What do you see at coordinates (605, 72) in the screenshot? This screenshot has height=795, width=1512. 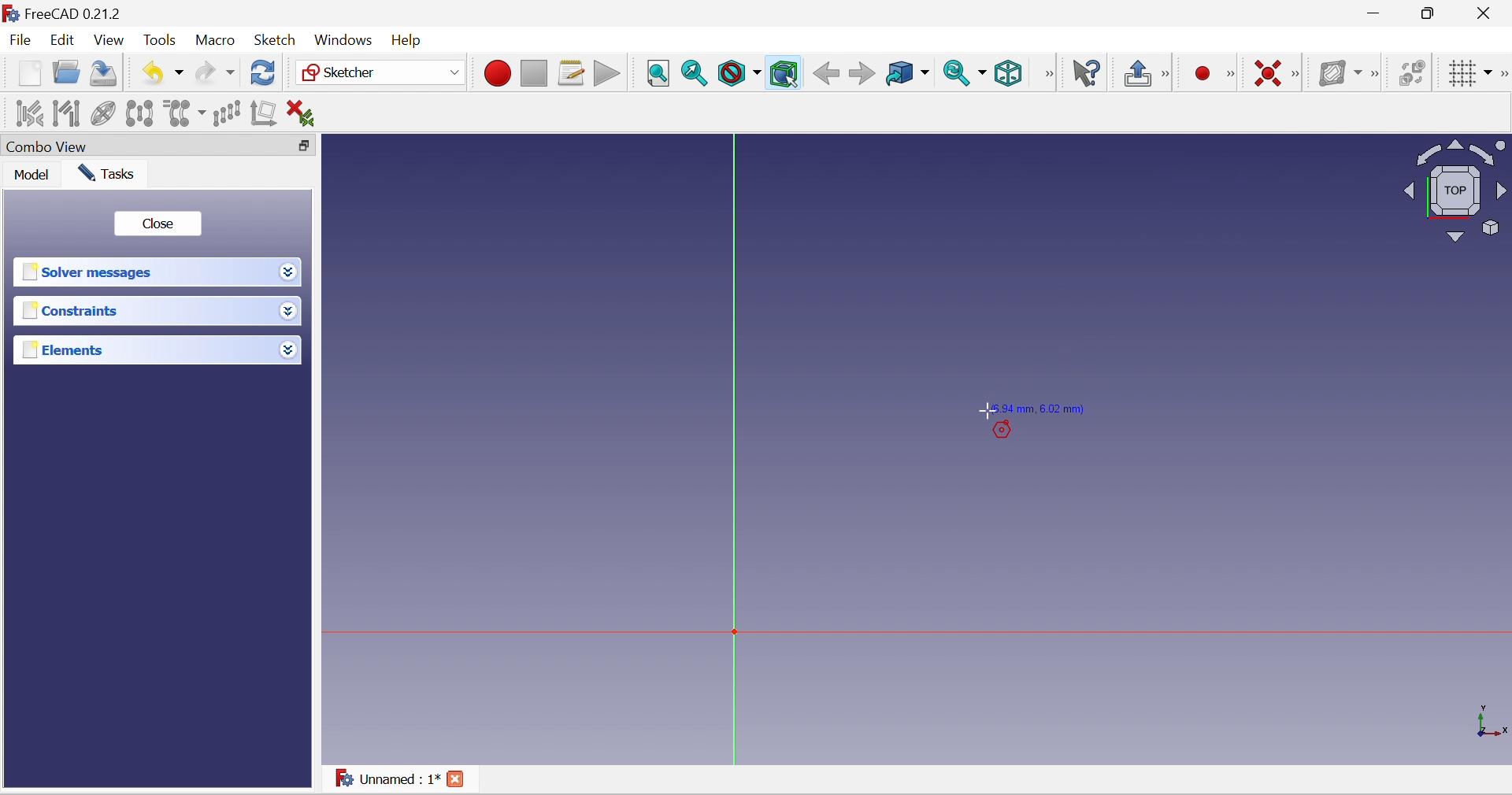 I see `Execute macro` at bounding box center [605, 72].